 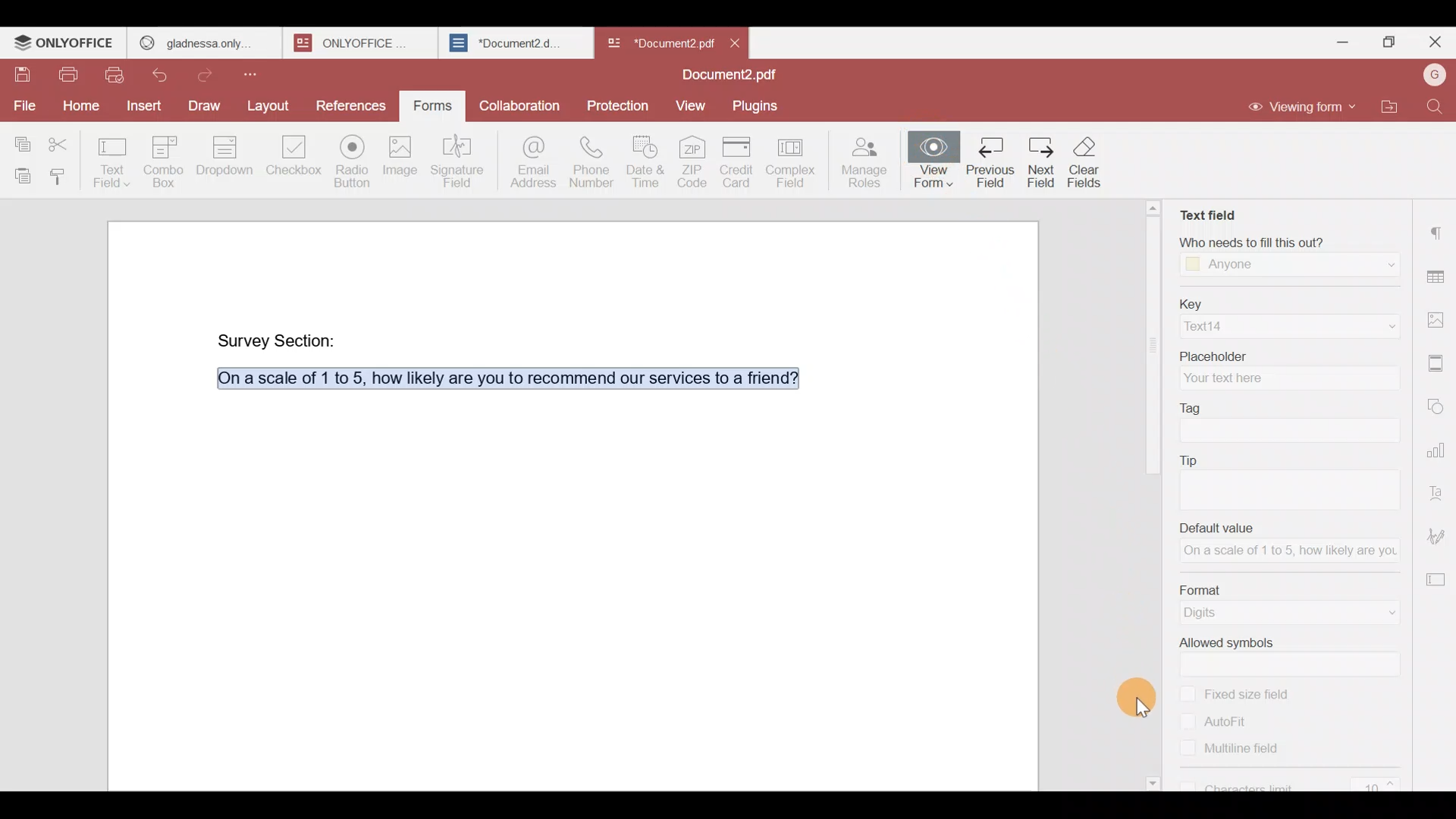 I want to click on Combo box, so click(x=161, y=161).